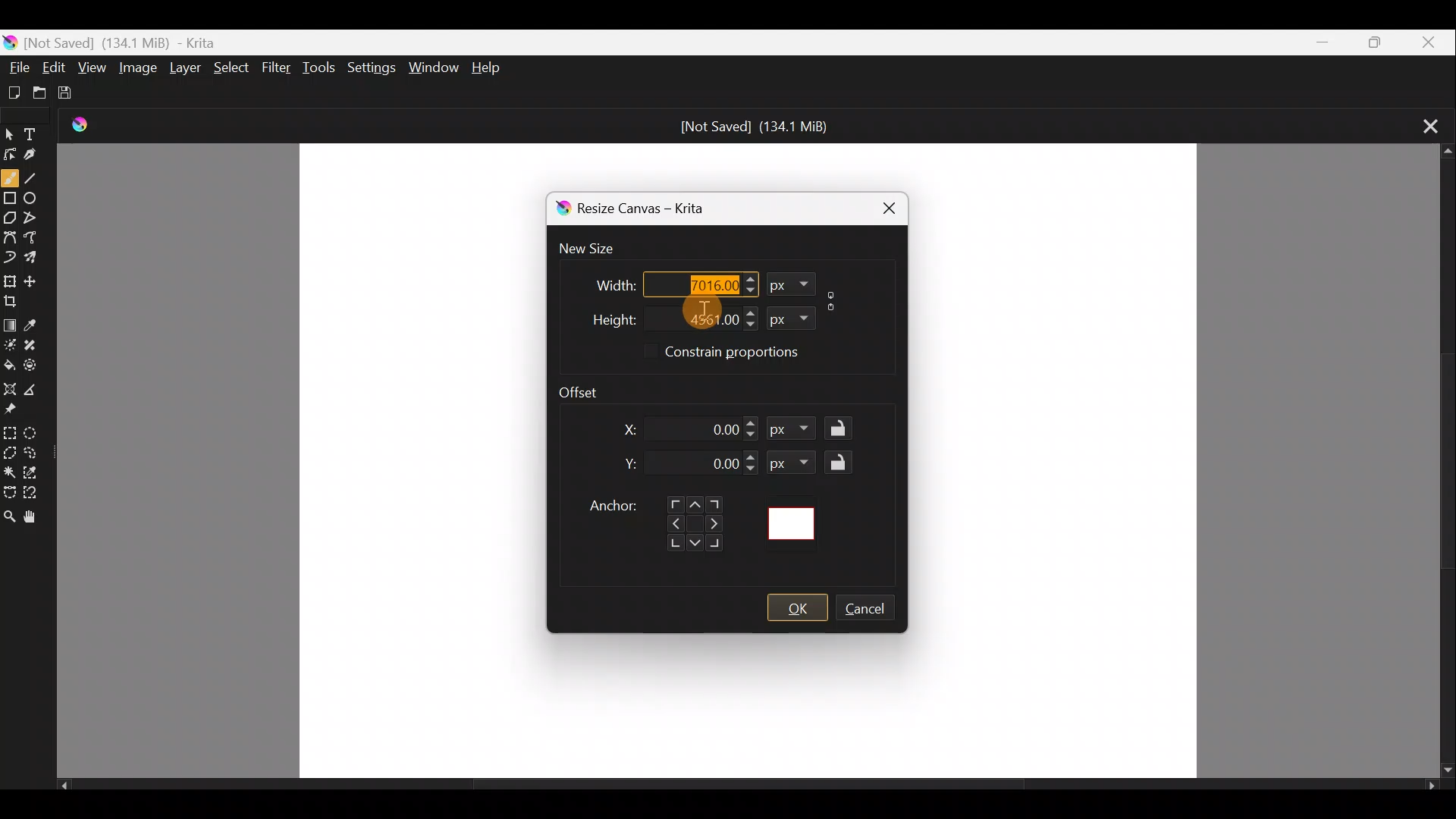  Describe the element at coordinates (560, 209) in the screenshot. I see `Krita logo` at that location.